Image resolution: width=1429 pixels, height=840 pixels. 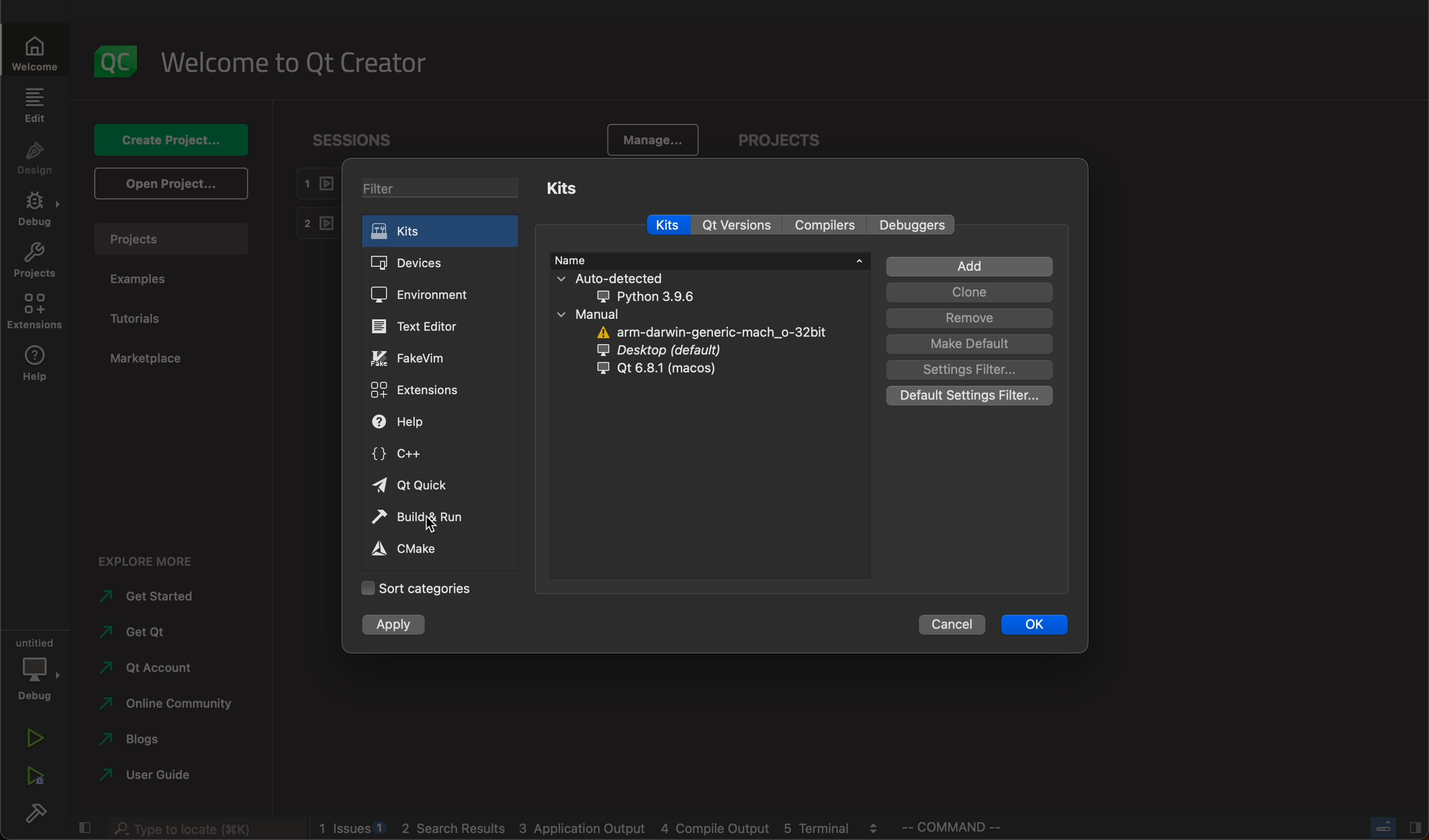 I want to click on kits, so click(x=669, y=224).